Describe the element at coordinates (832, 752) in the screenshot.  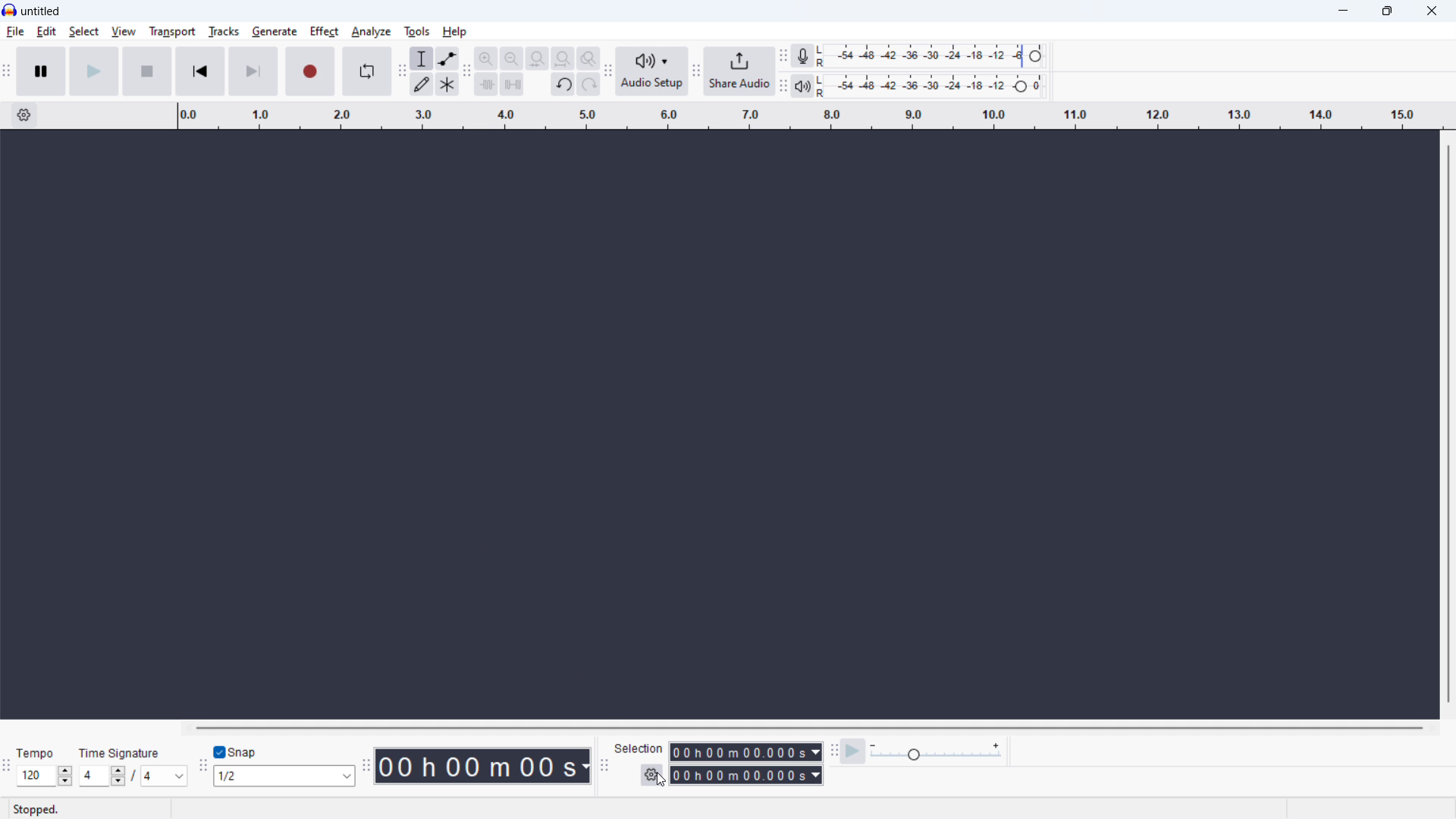
I see `play at speed toolbar` at that location.